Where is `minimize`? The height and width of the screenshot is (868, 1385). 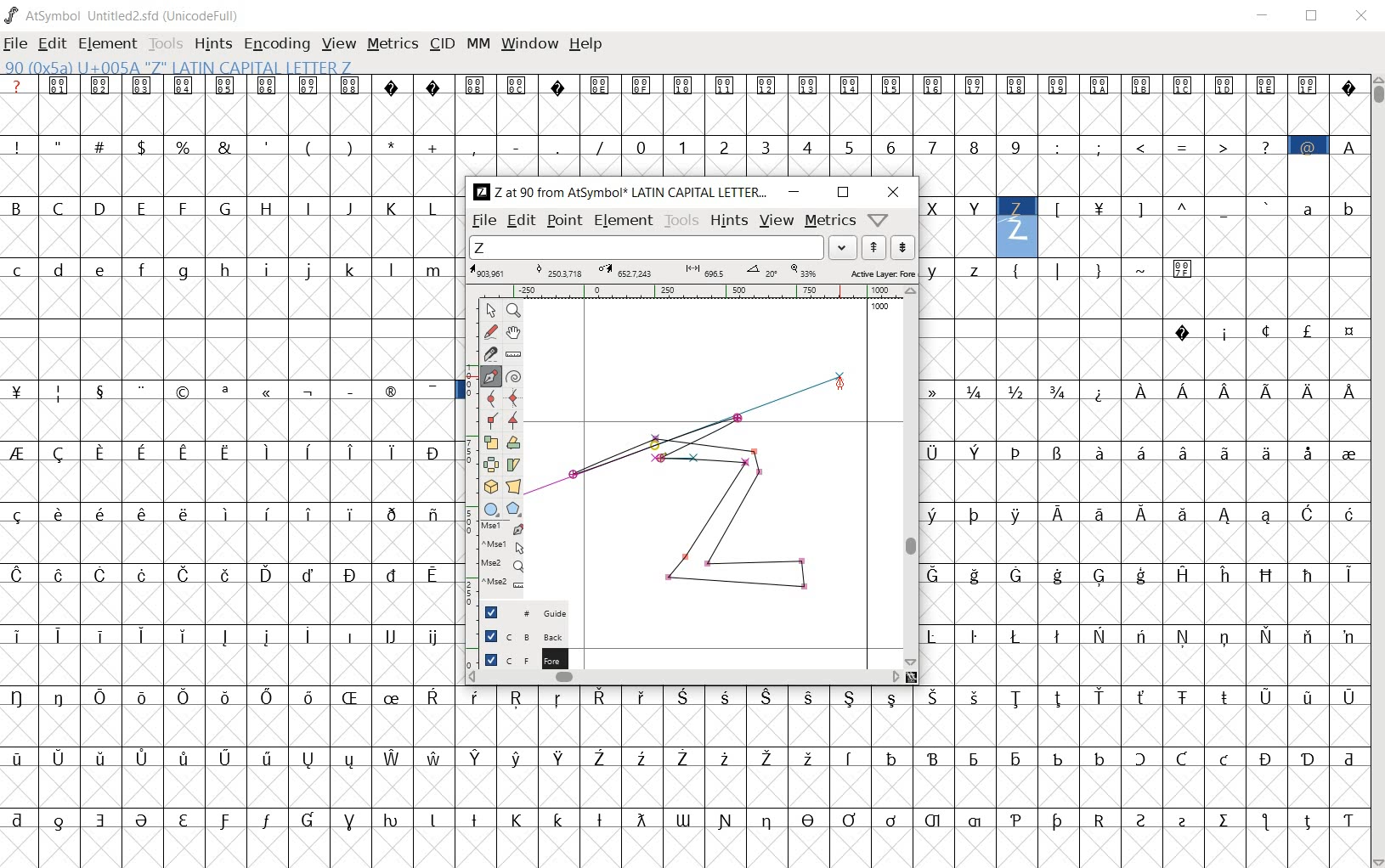
minimize is located at coordinates (795, 192).